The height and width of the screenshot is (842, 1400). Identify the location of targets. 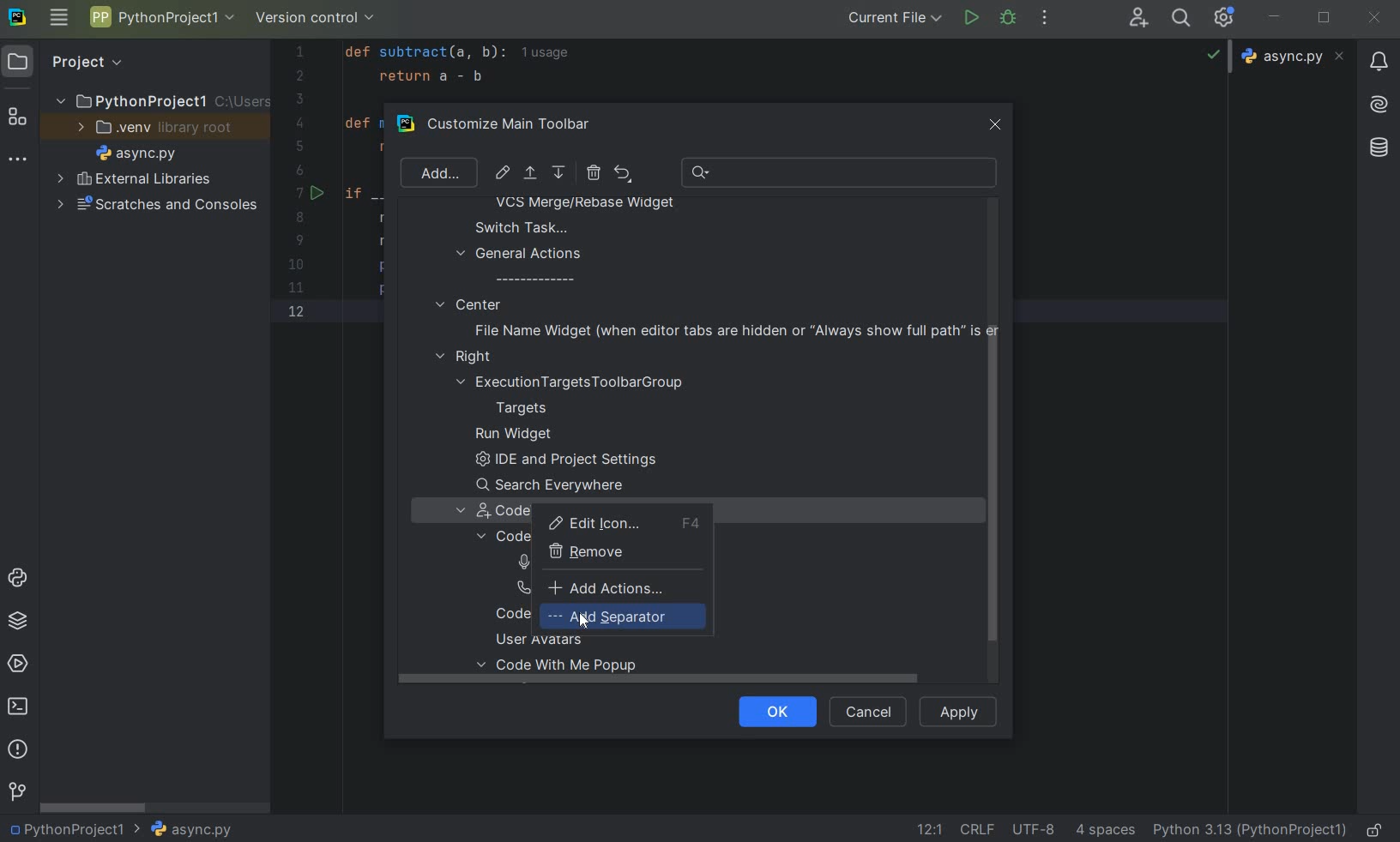
(533, 408).